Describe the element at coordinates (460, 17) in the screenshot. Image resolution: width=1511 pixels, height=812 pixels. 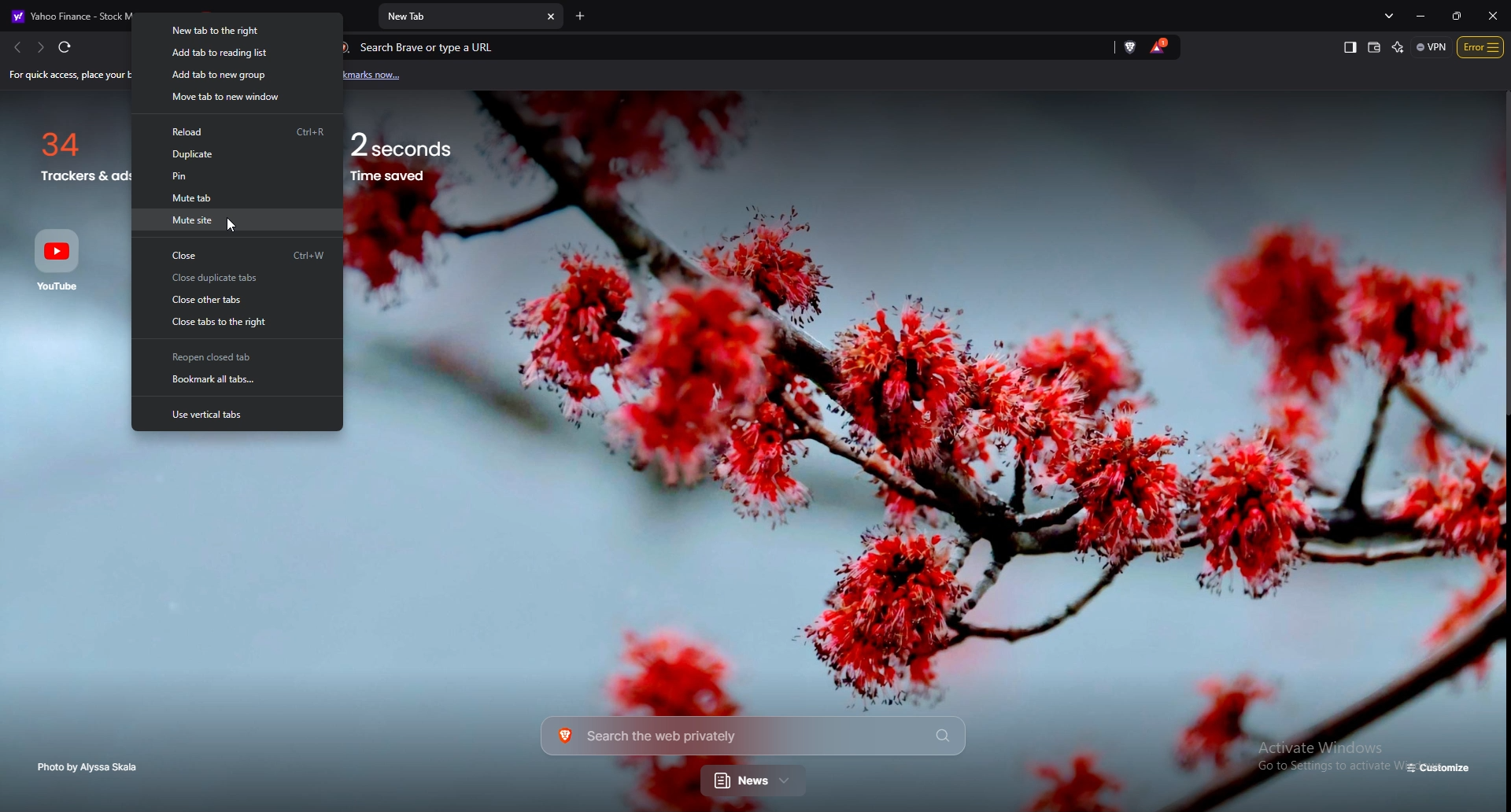
I see `New tab` at that location.